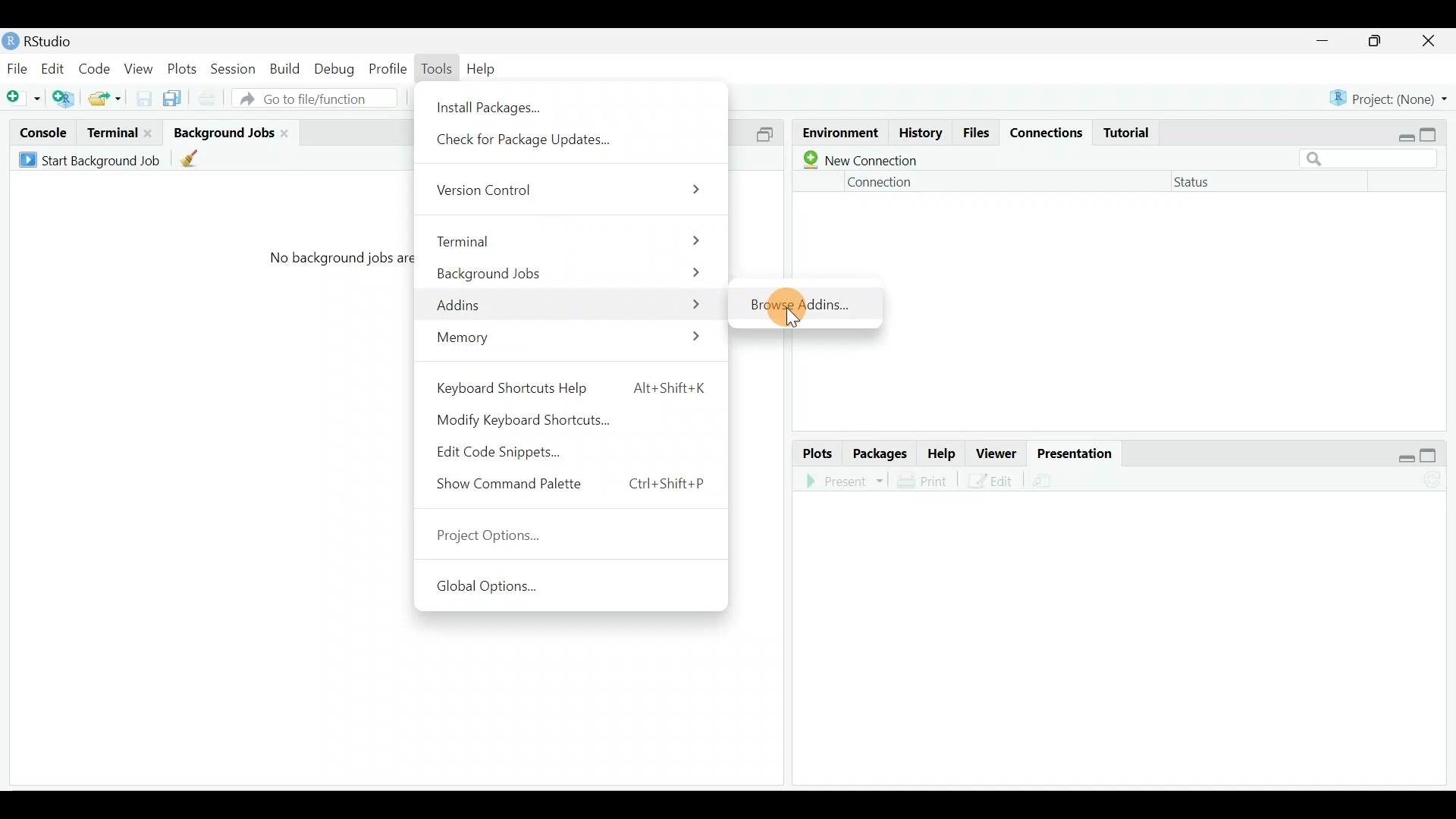  Describe the element at coordinates (769, 135) in the screenshot. I see `Split` at that location.